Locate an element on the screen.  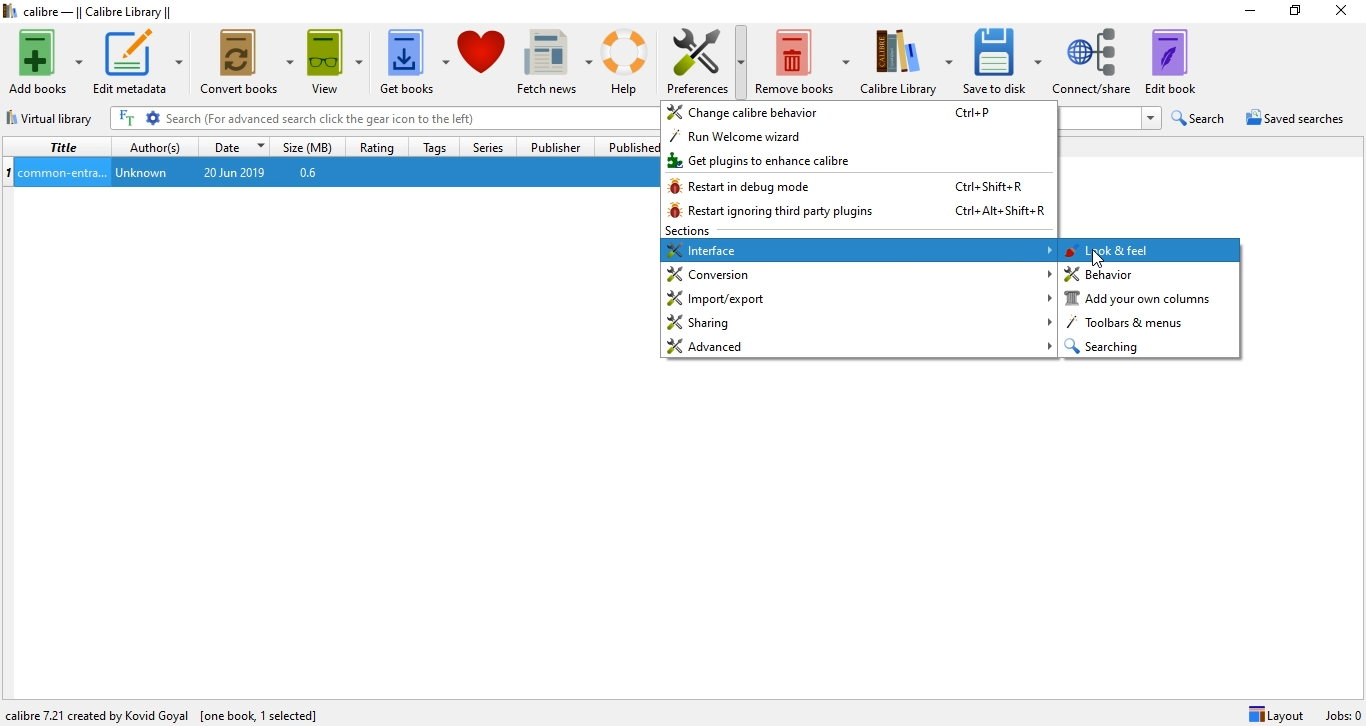
sharing is located at coordinates (858, 324).